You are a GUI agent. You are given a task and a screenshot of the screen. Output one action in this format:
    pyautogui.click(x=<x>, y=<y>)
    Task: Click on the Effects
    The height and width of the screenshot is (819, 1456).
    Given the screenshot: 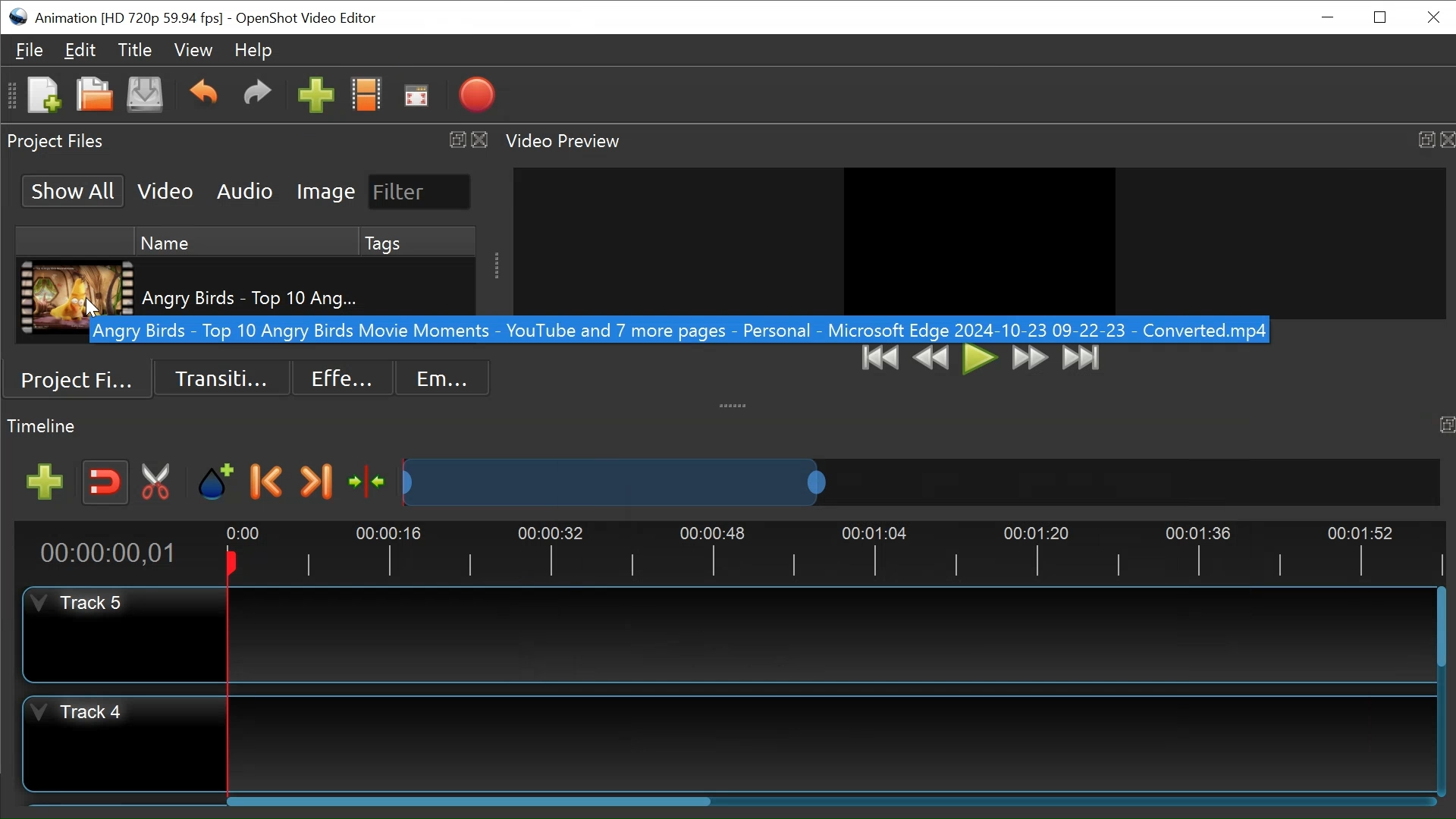 What is the action you would take?
    pyautogui.click(x=340, y=378)
    